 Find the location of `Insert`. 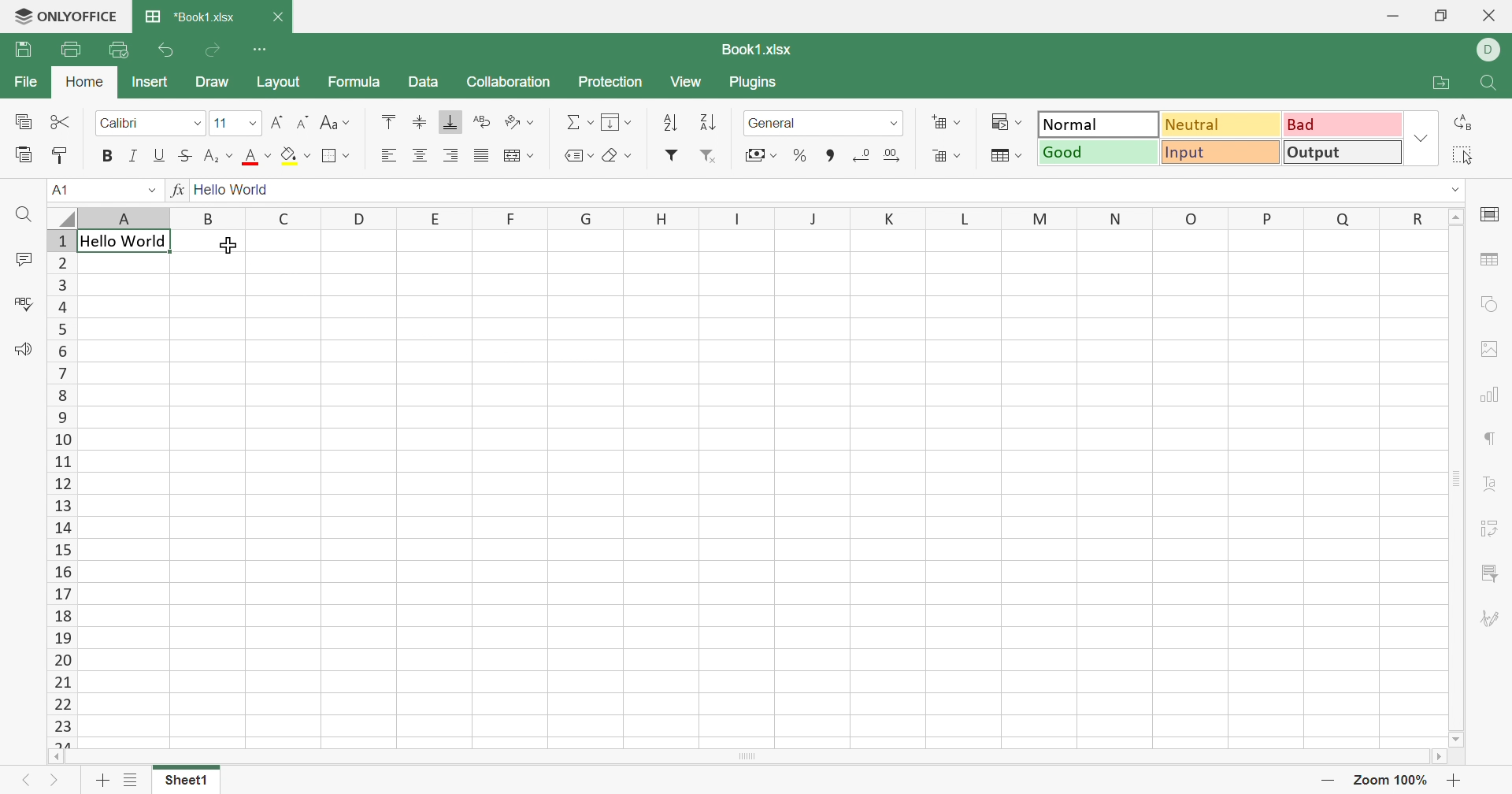

Insert is located at coordinates (147, 82).